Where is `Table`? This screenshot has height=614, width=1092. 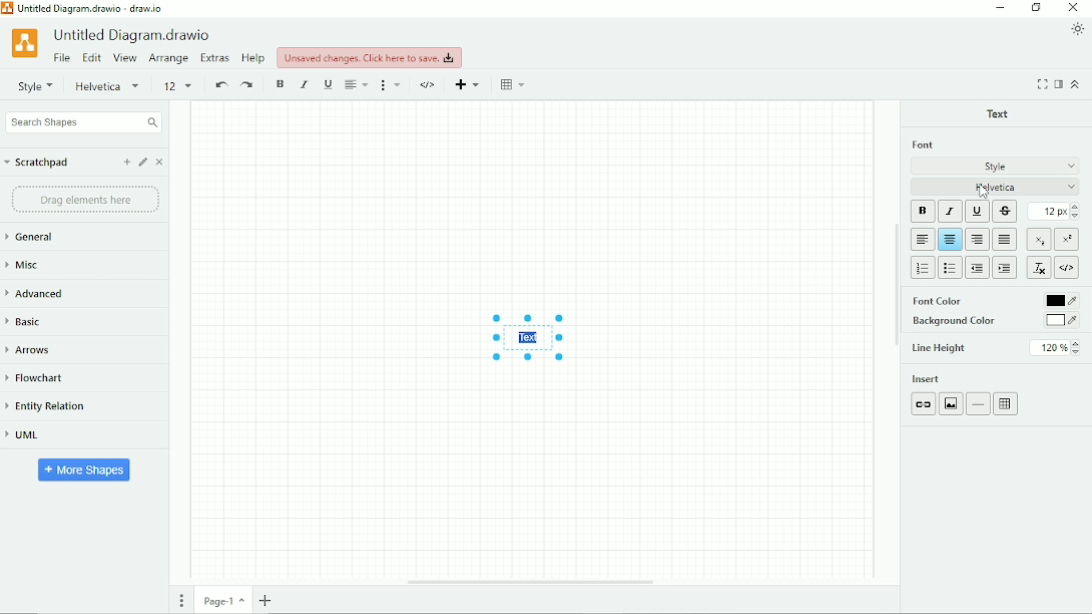
Table is located at coordinates (1007, 403).